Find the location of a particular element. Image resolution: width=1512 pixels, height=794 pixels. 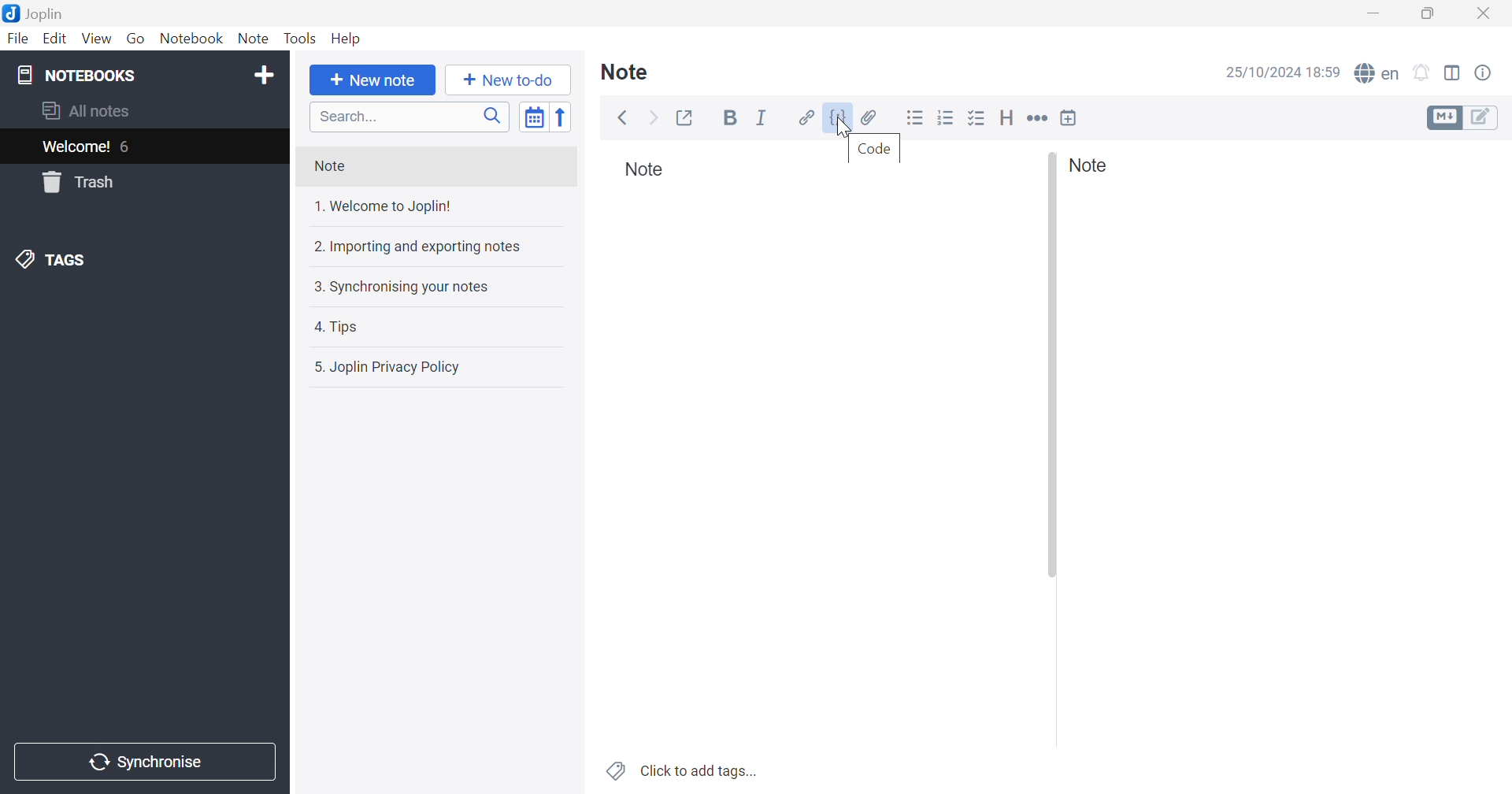

Tags is located at coordinates (55, 259).